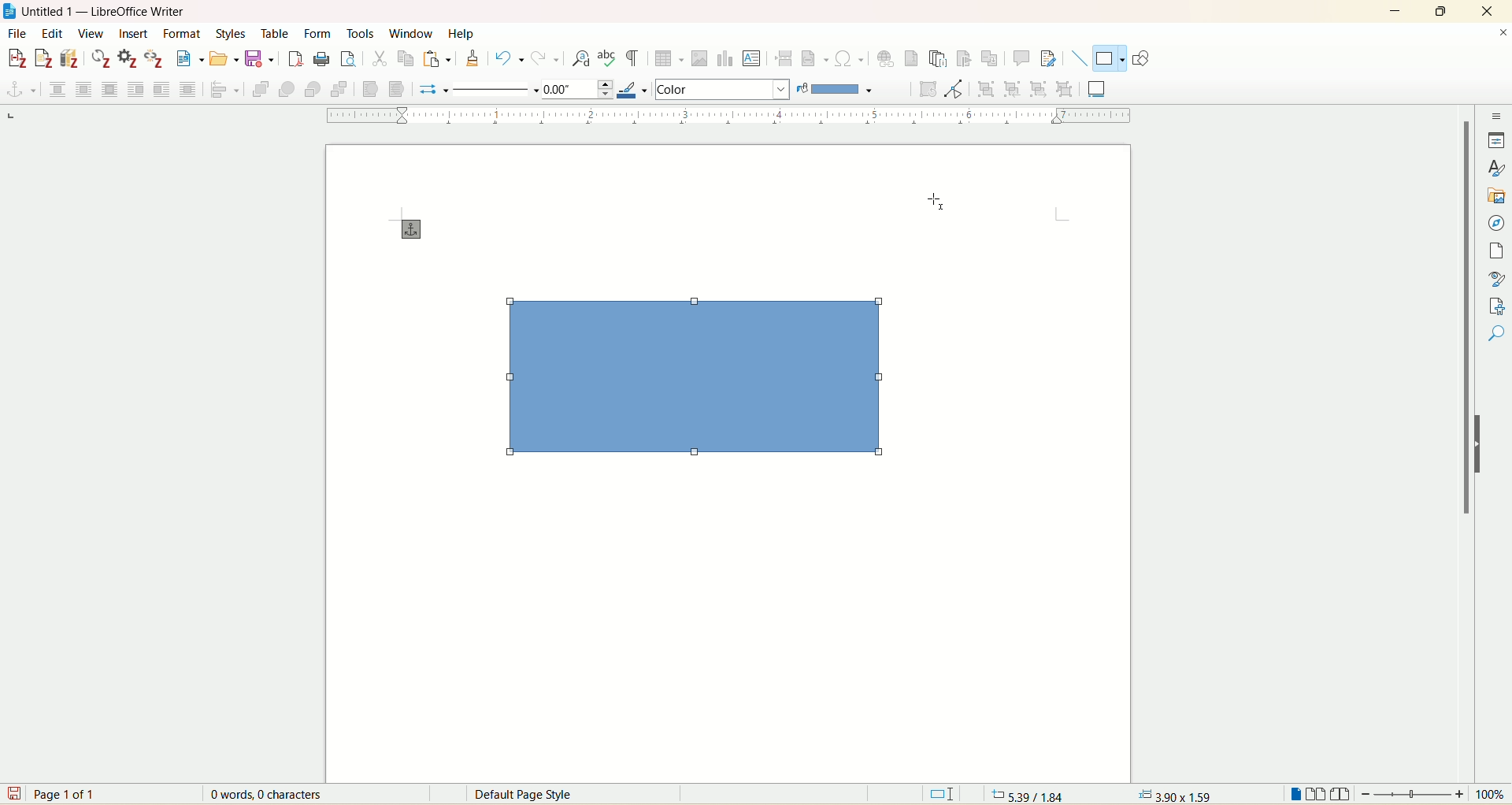  I want to click on page , so click(1499, 251).